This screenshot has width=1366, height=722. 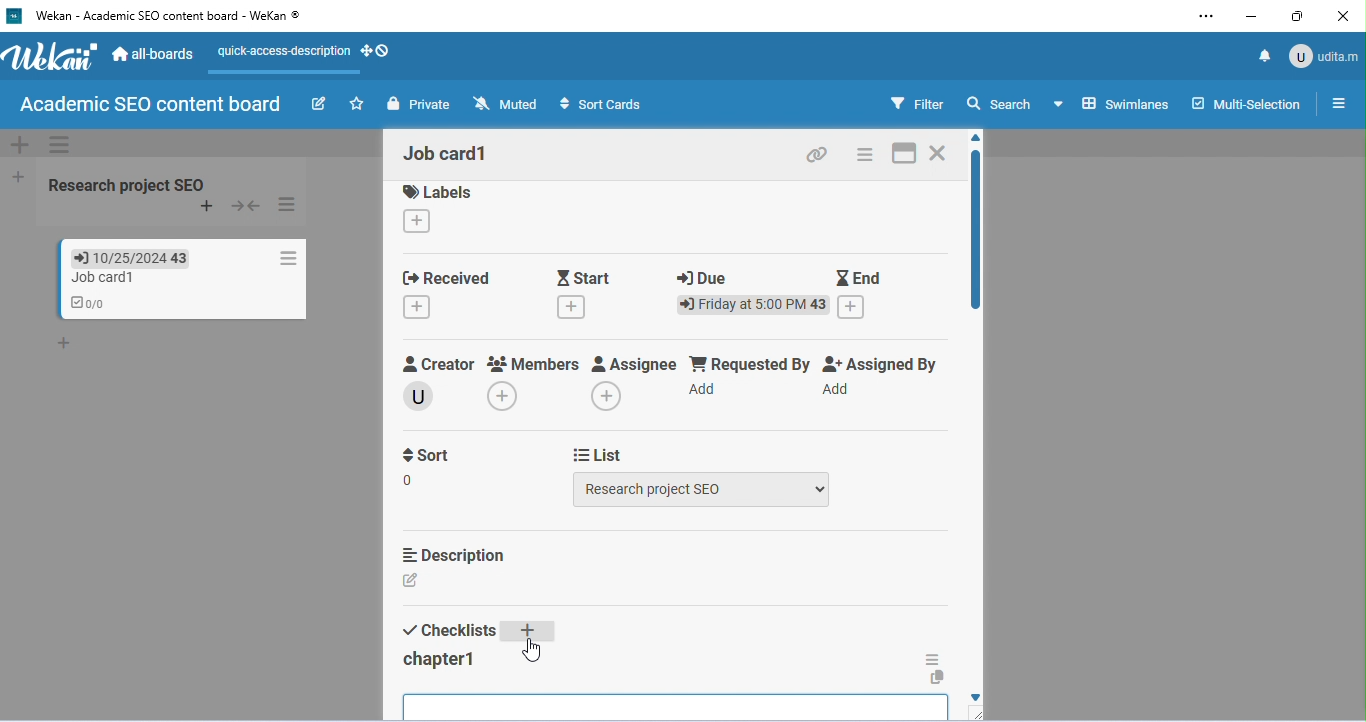 What do you see at coordinates (1249, 18) in the screenshot?
I see `minimize` at bounding box center [1249, 18].